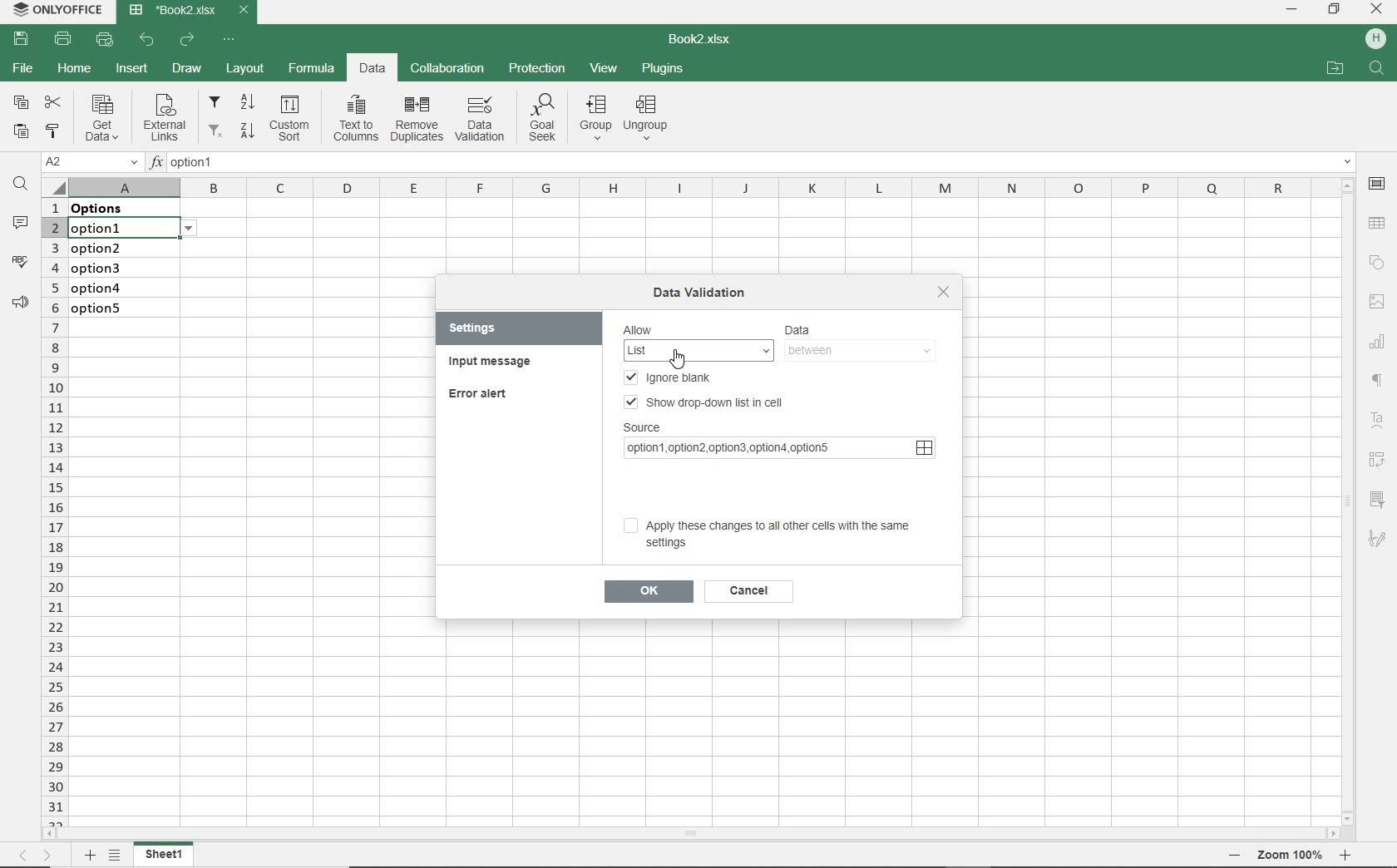 The image size is (1397, 868). What do you see at coordinates (1379, 344) in the screenshot?
I see `CHART` at bounding box center [1379, 344].